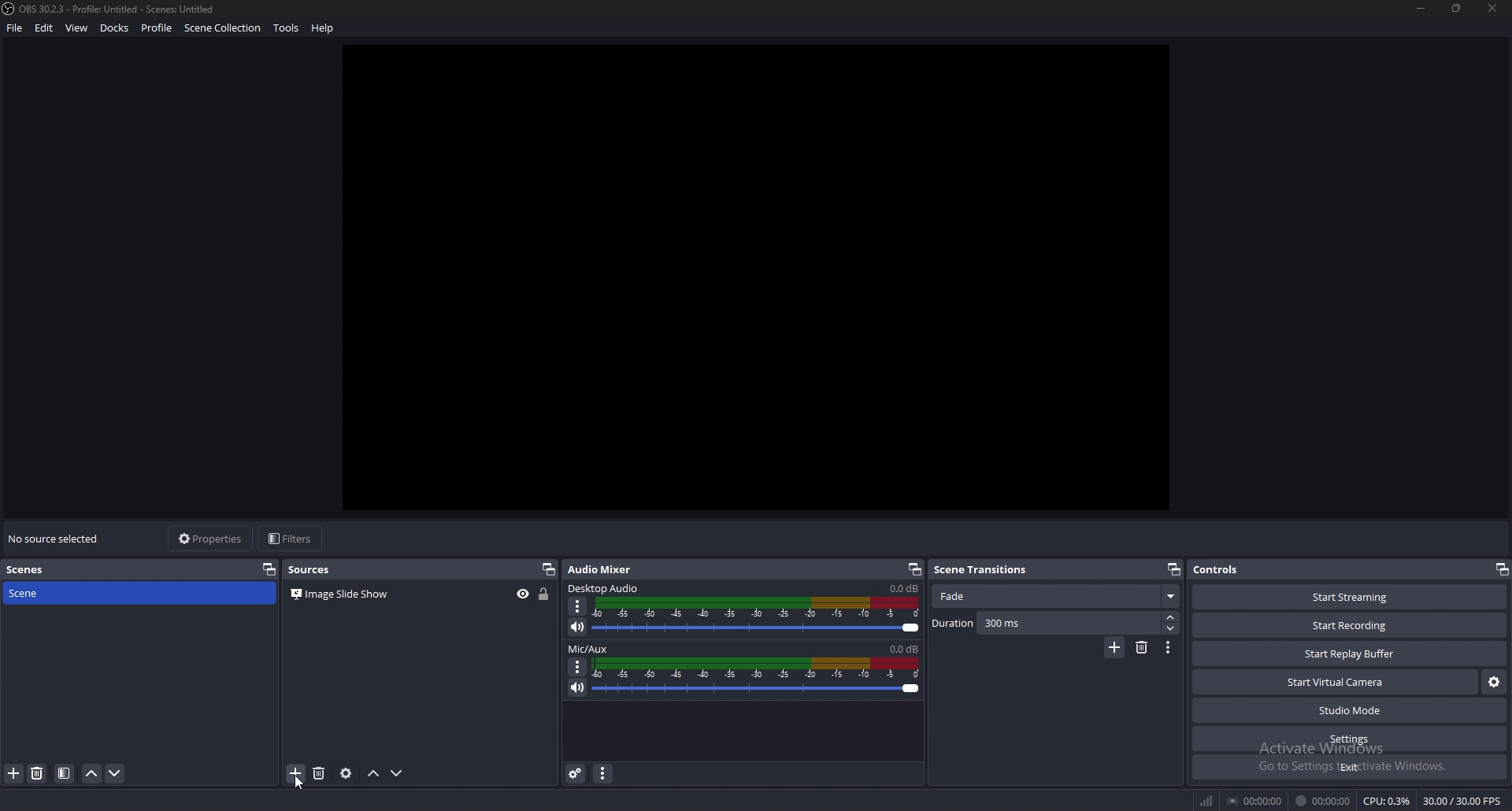 The width and height of the screenshot is (1512, 811). I want to click on remove transition, so click(1141, 649).